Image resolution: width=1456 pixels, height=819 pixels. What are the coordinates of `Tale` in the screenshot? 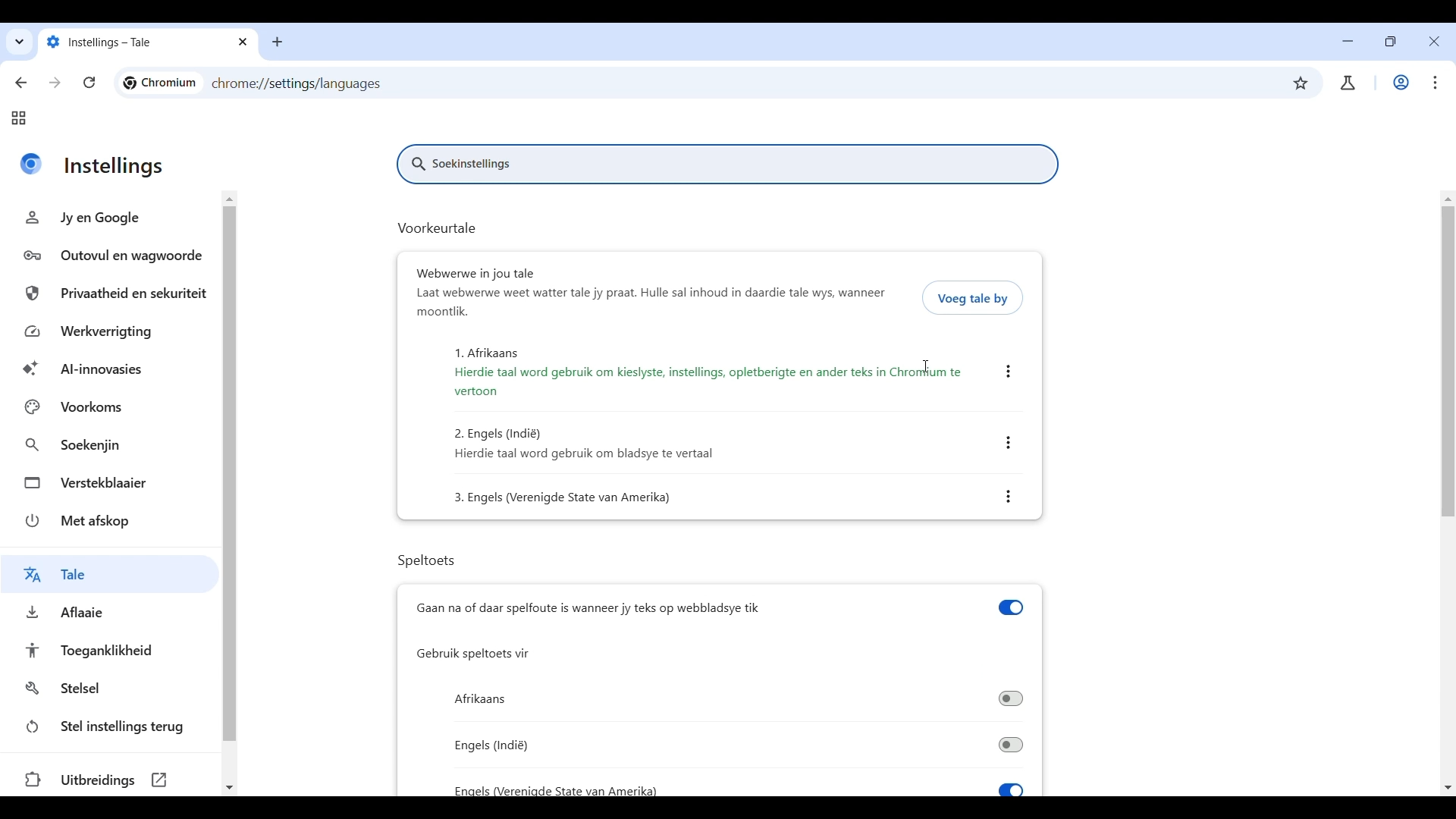 It's located at (83, 575).